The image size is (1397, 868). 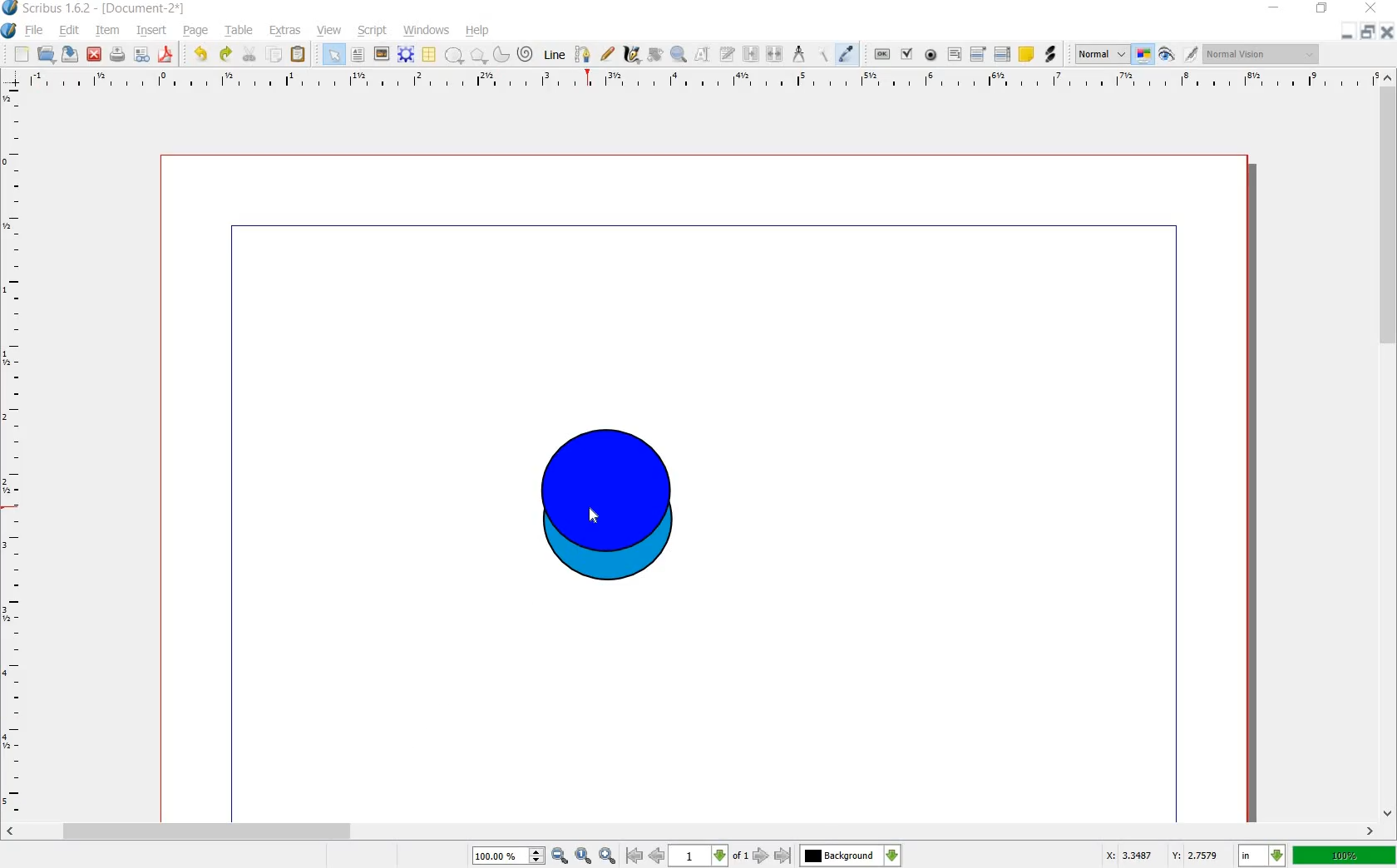 What do you see at coordinates (45, 54) in the screenshot?
I see `open` at bounding box center [45, 54].